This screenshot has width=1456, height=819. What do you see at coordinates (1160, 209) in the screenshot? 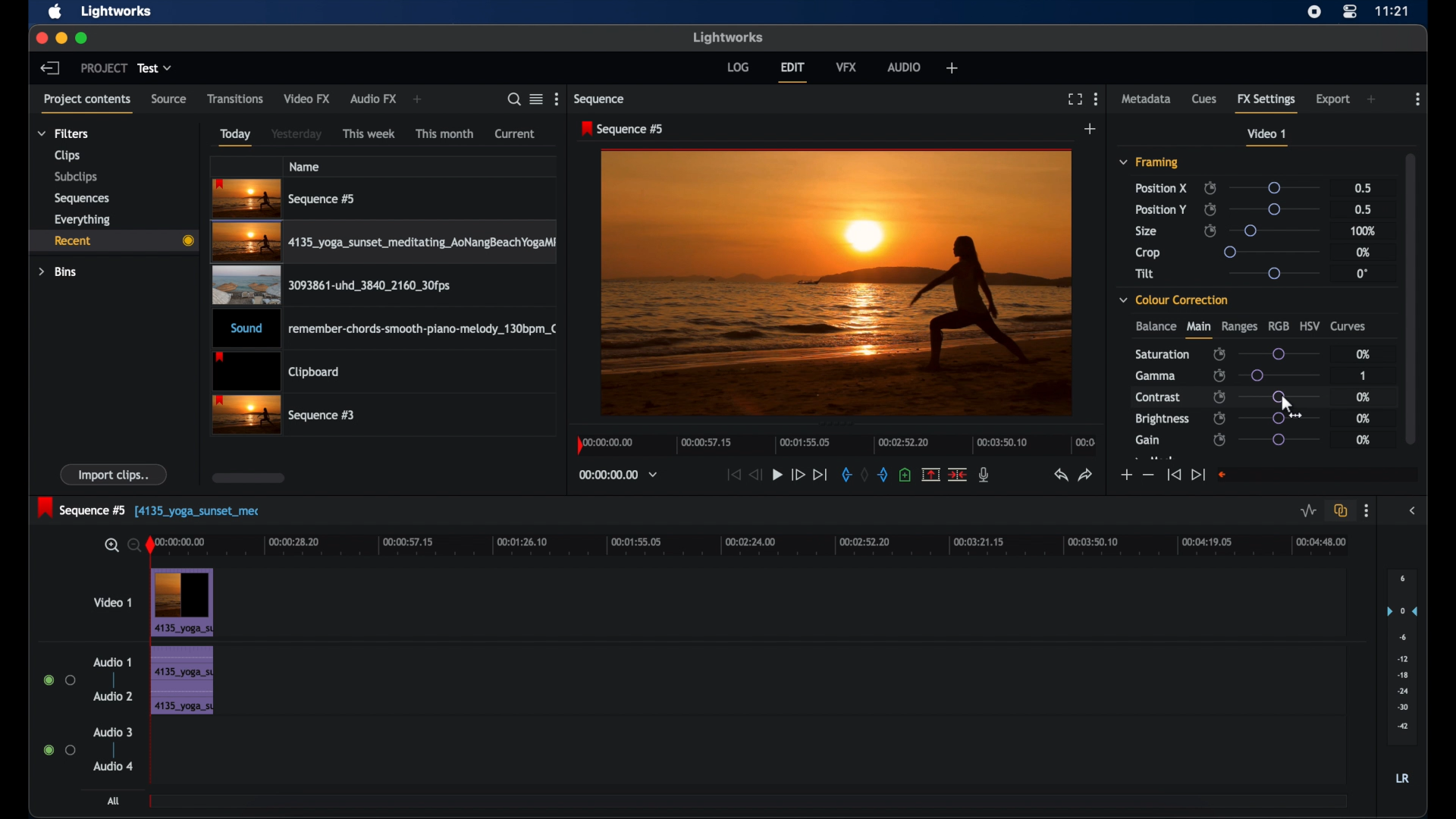
I see `position y` at bounding box center [1160, 209].